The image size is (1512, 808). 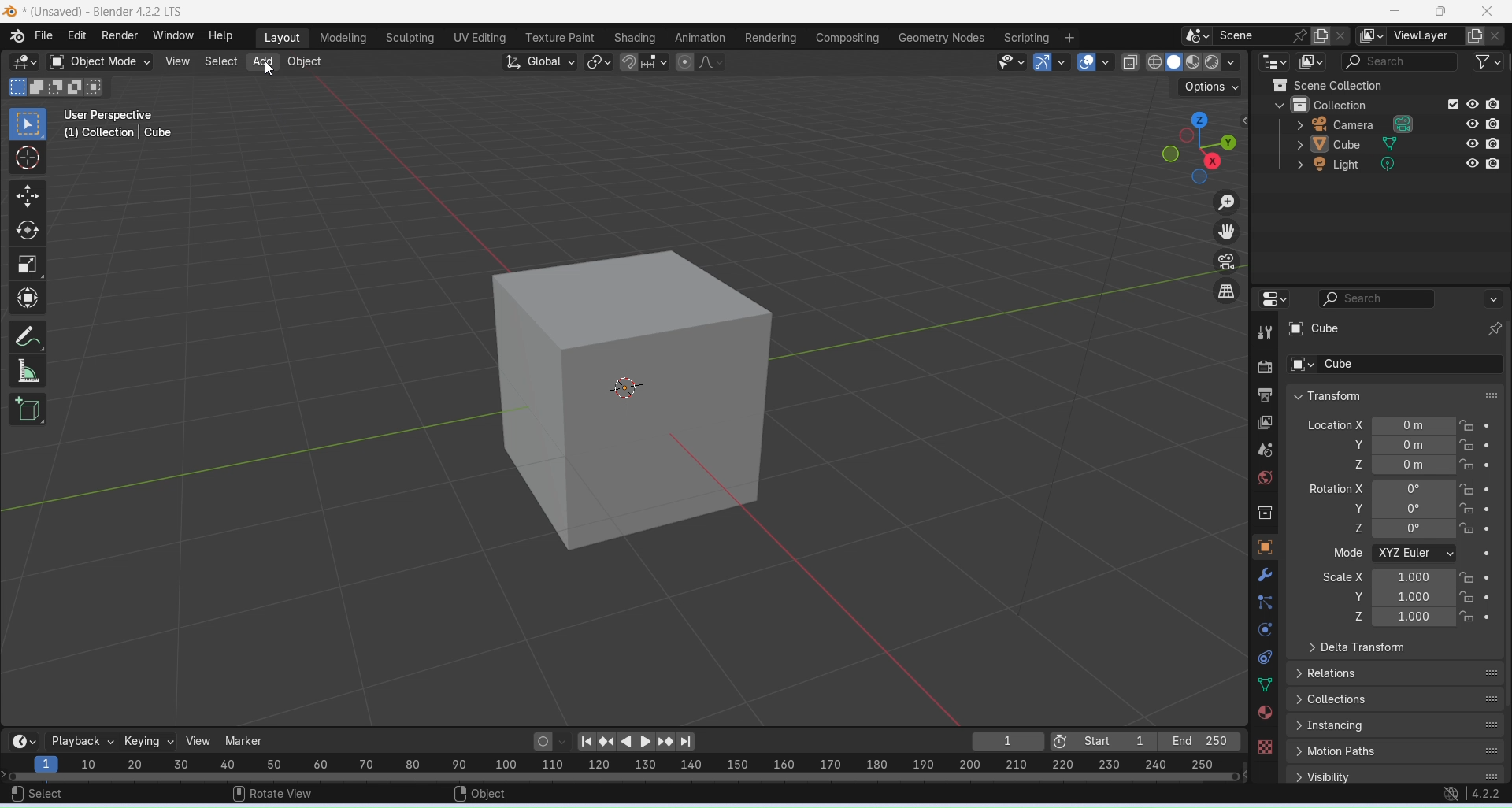 What do you see at coordinates (608, 741) in the screenshot?
I see `Jump to keyframe` at bounding box center [608, 741].